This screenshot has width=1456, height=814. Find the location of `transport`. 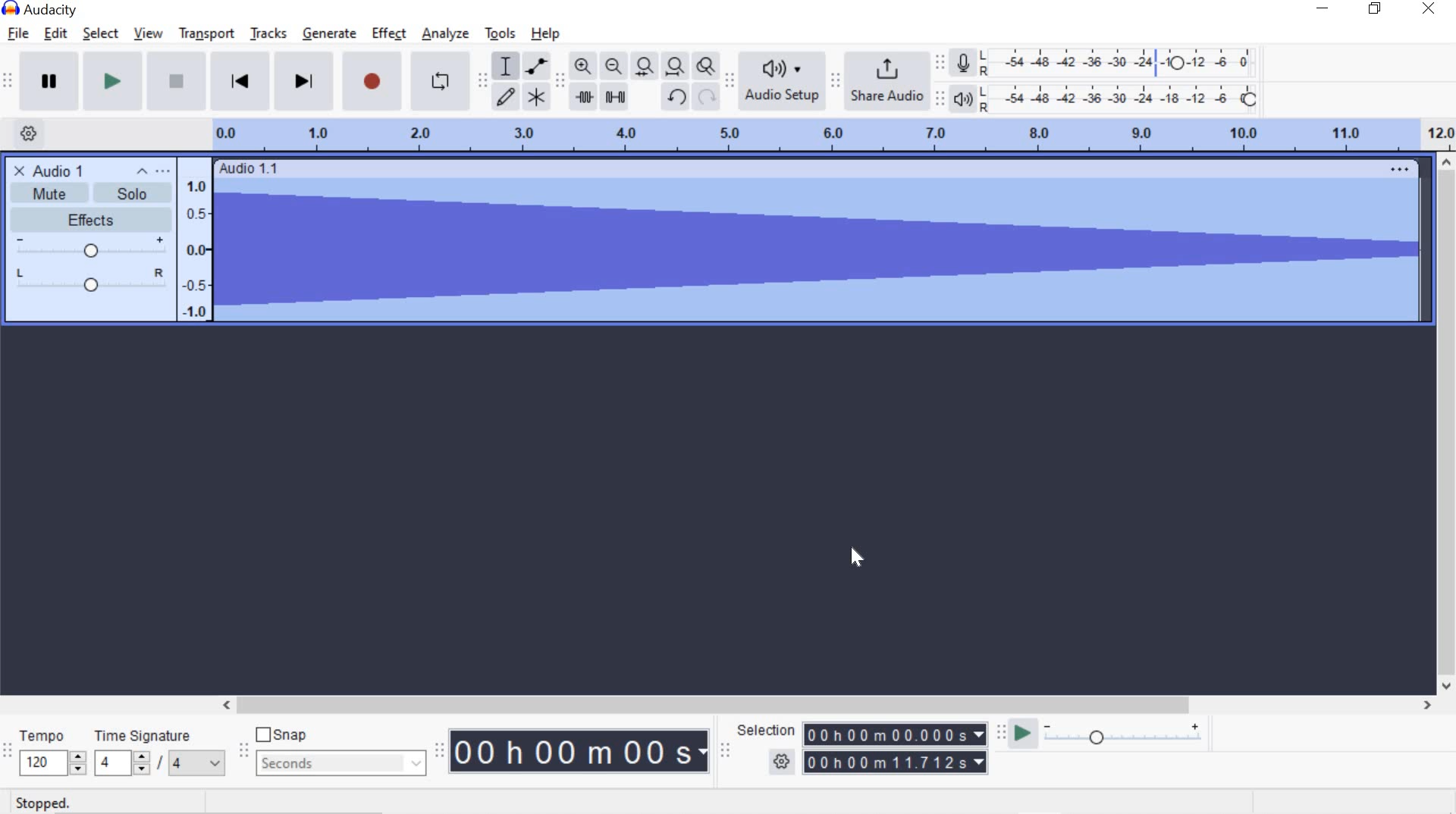

transport is located at coordinates (206, 32).